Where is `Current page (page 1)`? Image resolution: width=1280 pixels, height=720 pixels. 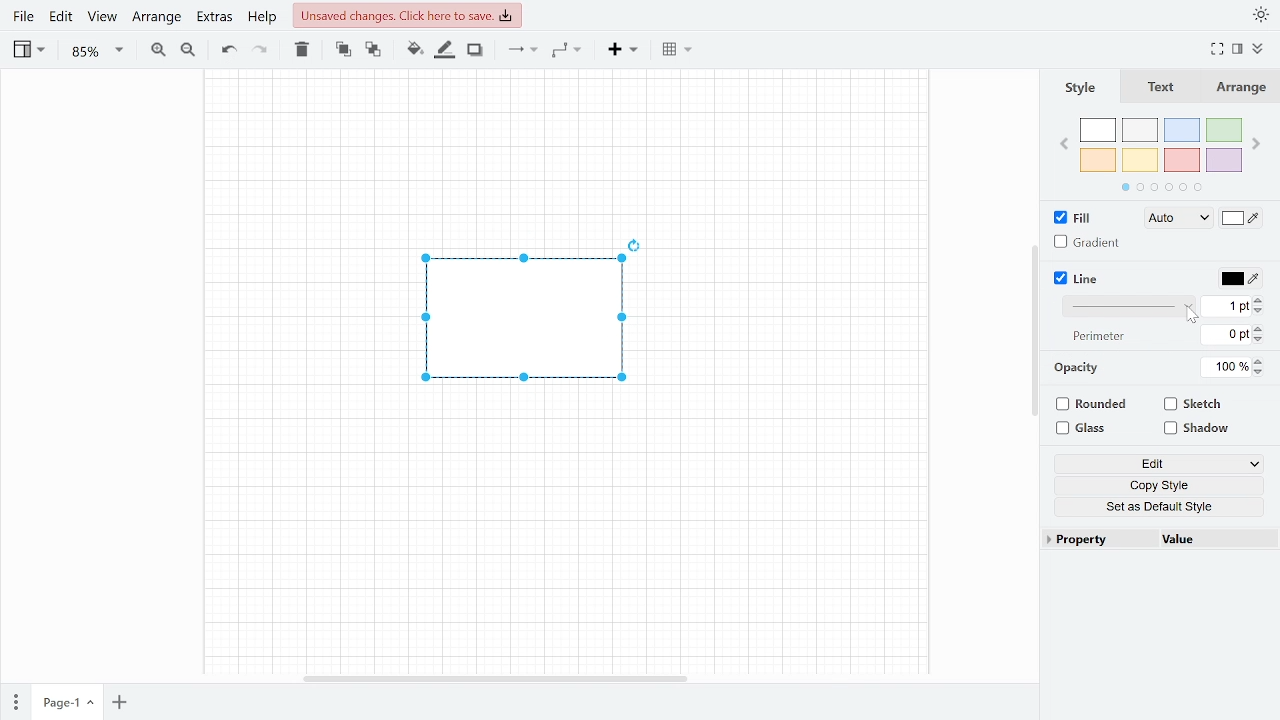 Current page (page 1) is located at coordinates (66, 703).